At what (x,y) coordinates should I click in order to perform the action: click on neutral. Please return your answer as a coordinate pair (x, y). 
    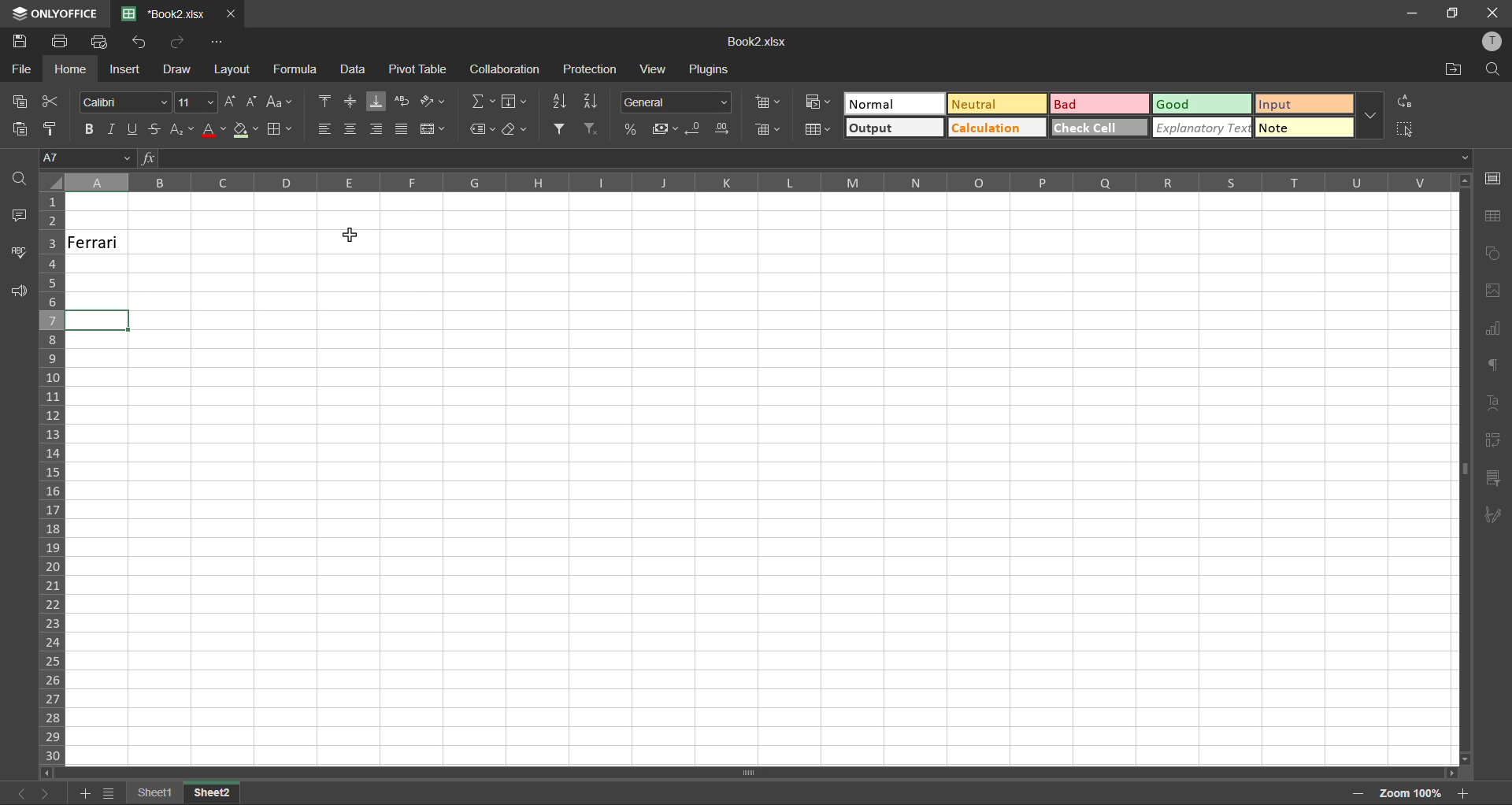
    Looking at the image, I should click on (996, 105).